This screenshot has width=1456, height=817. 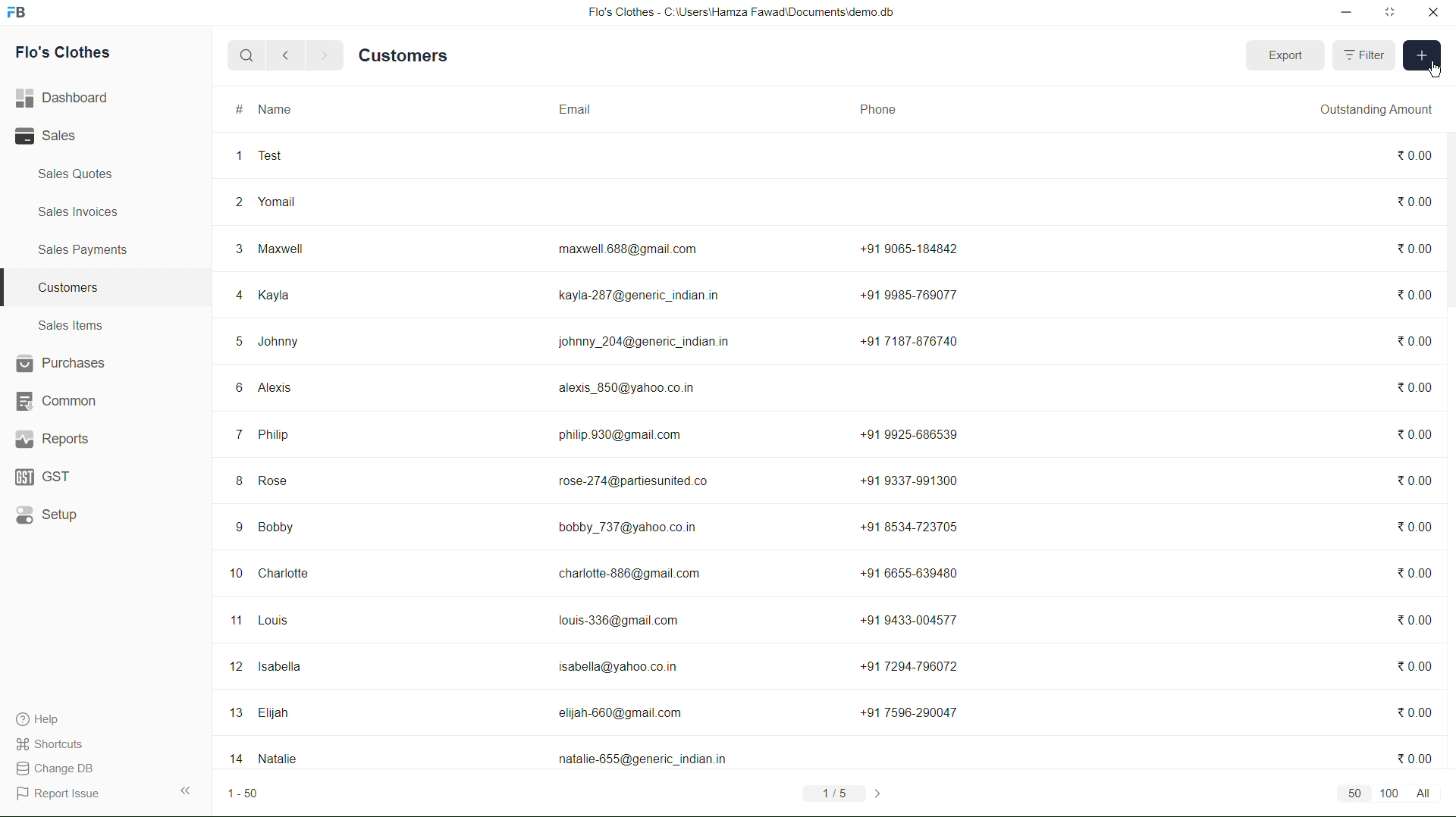 What do you see at coordinates (1364, 55) in the screenshot?
I see `Filter` at bounding box center [1364, 55].